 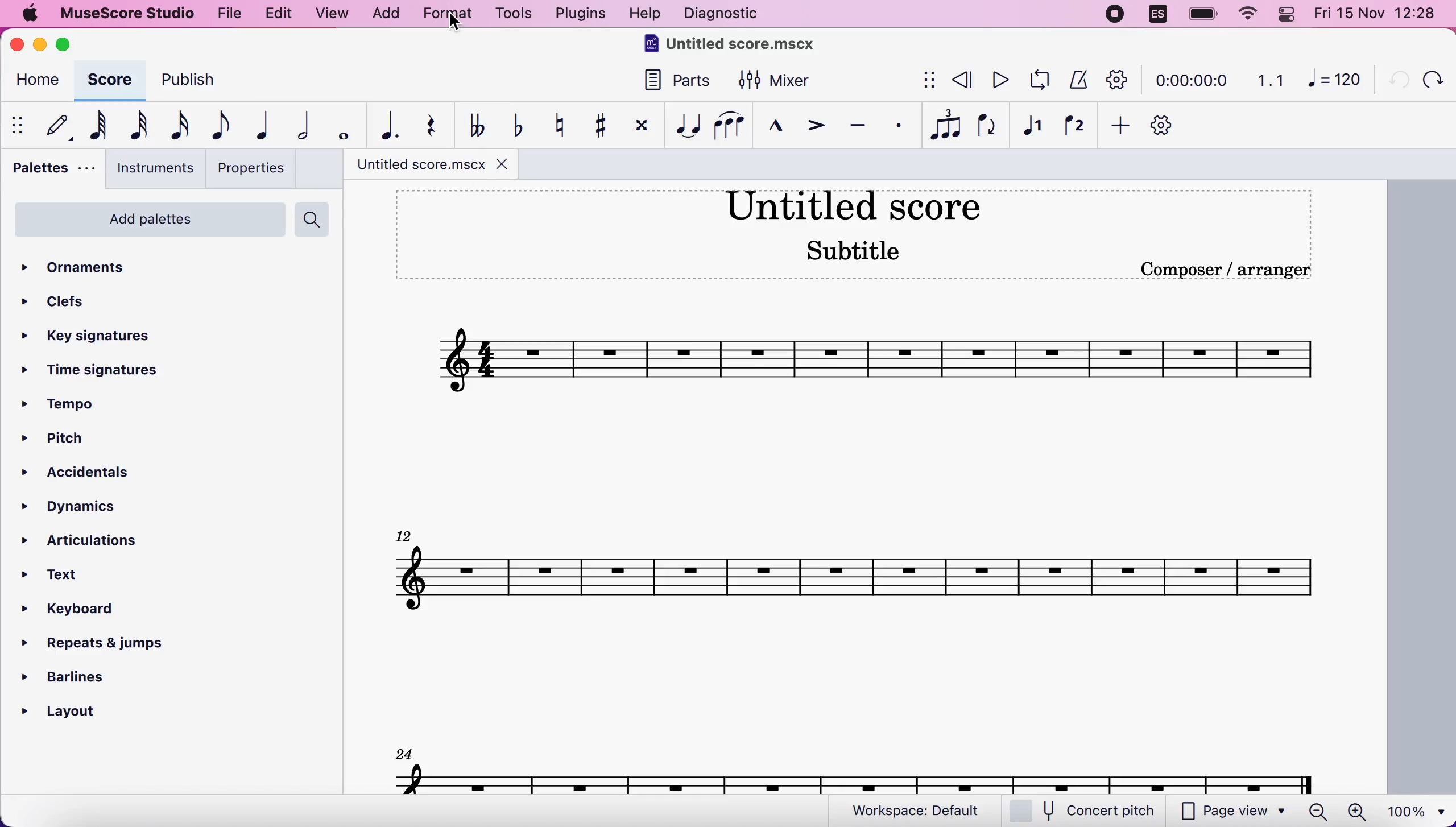 What do you see at coordinates (857, 126) in the screenshot?
I see `tenuto` at bounding box center [857, 126].